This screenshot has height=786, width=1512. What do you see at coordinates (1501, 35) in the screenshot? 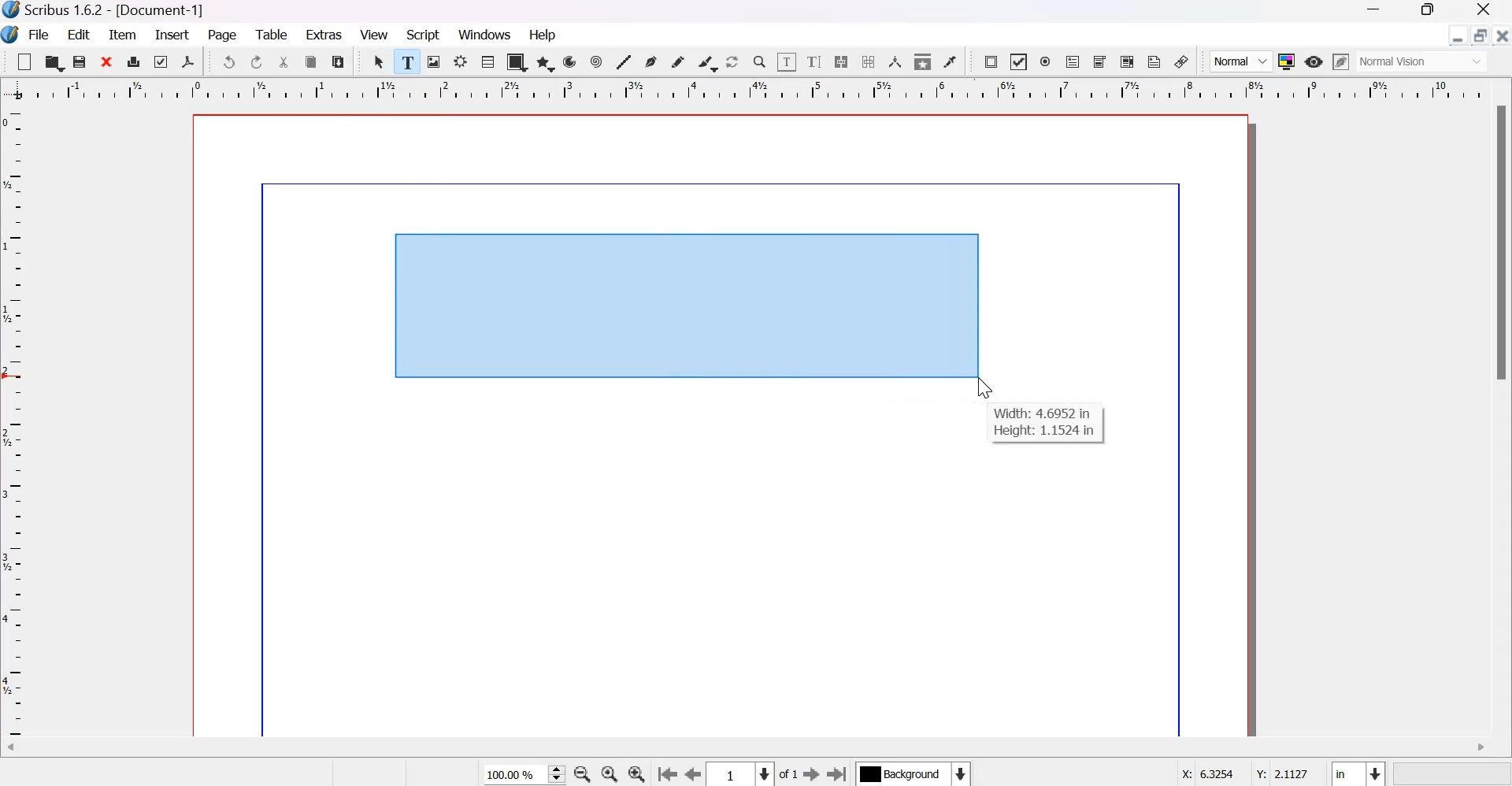
I see `close` at bounding box center [1501, 35].